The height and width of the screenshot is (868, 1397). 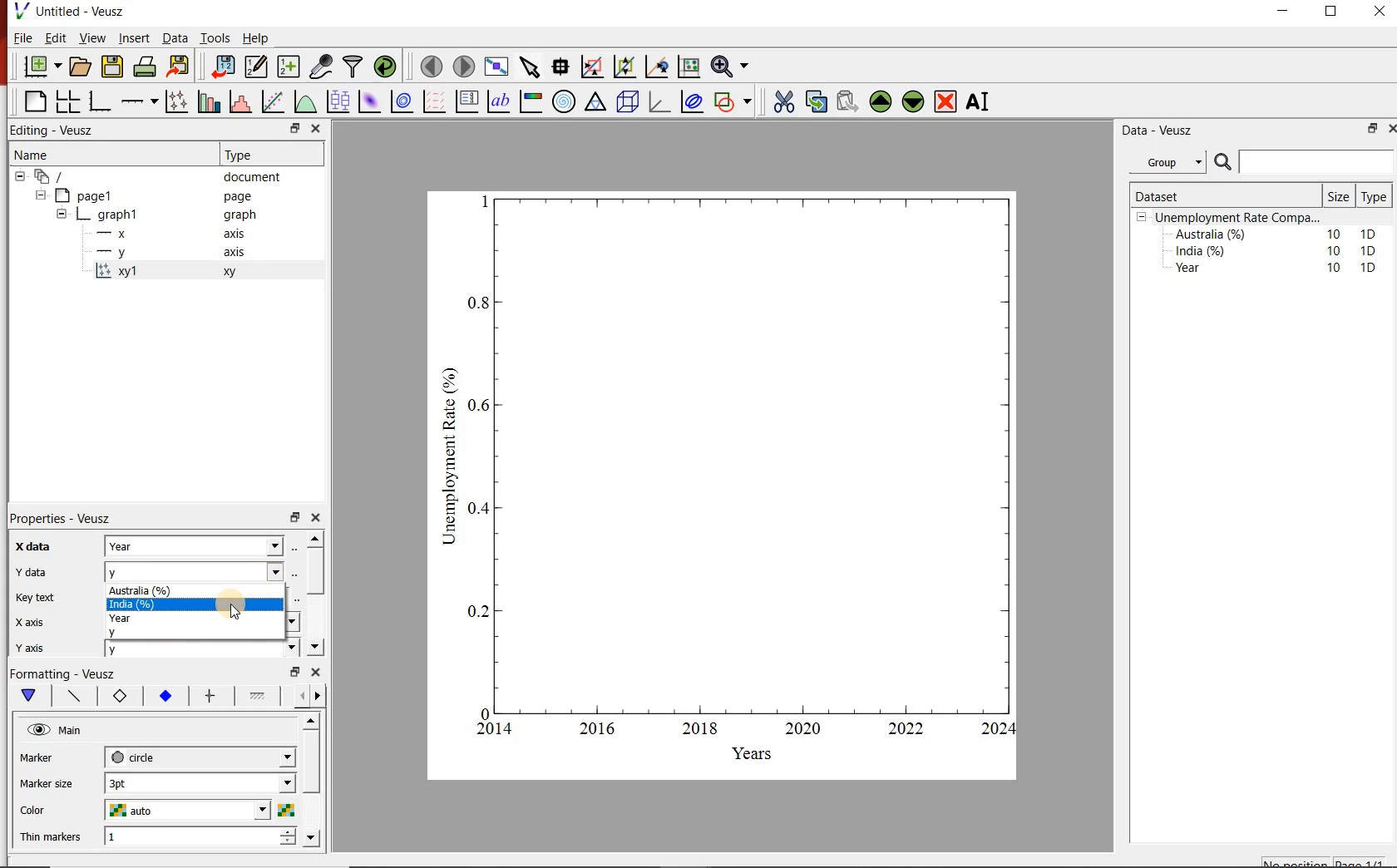 I want to click on click to zoom out graph axes, so click(x=625, y=65).